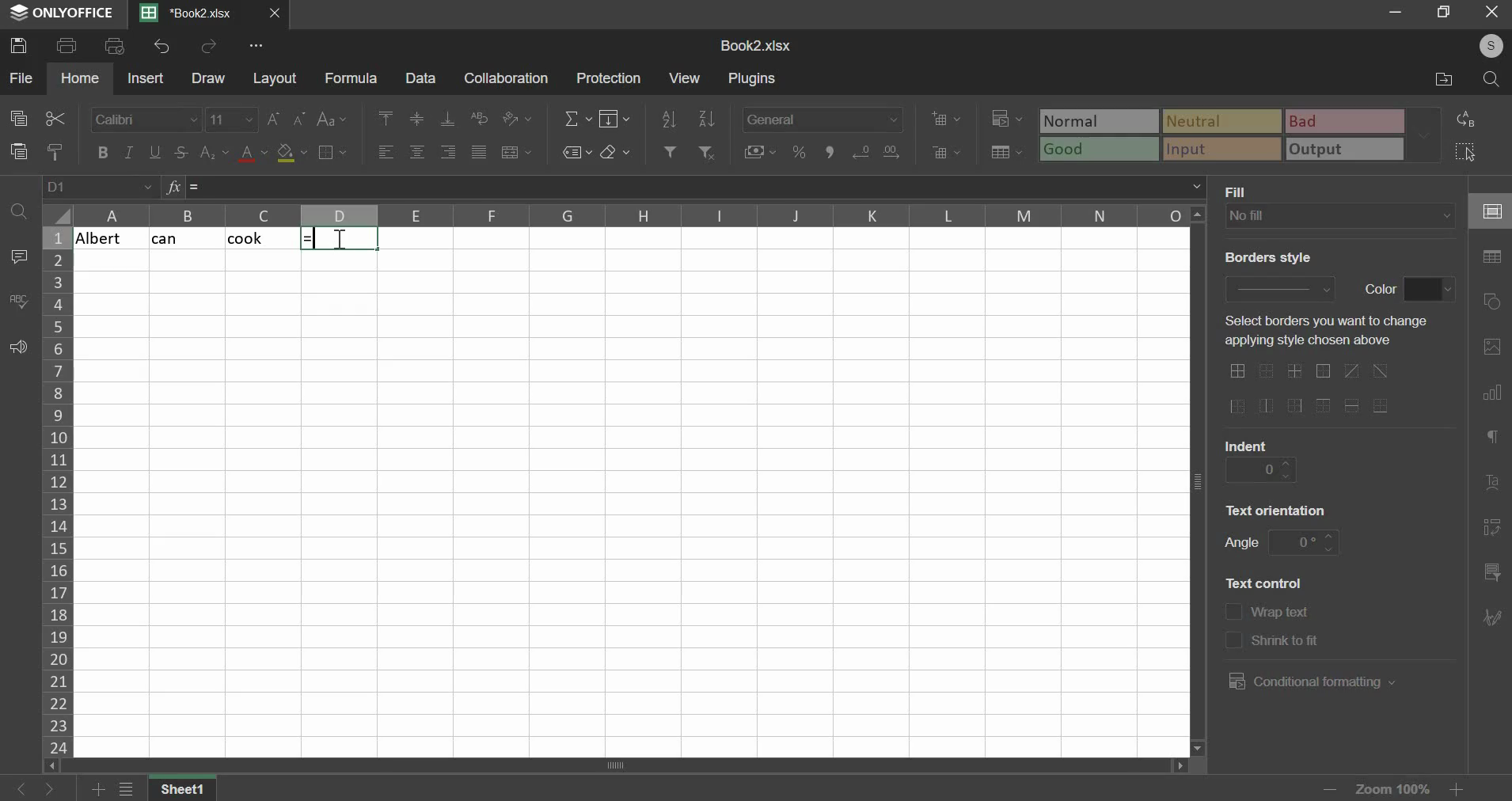  I want to click on align left, so click(386, 153).